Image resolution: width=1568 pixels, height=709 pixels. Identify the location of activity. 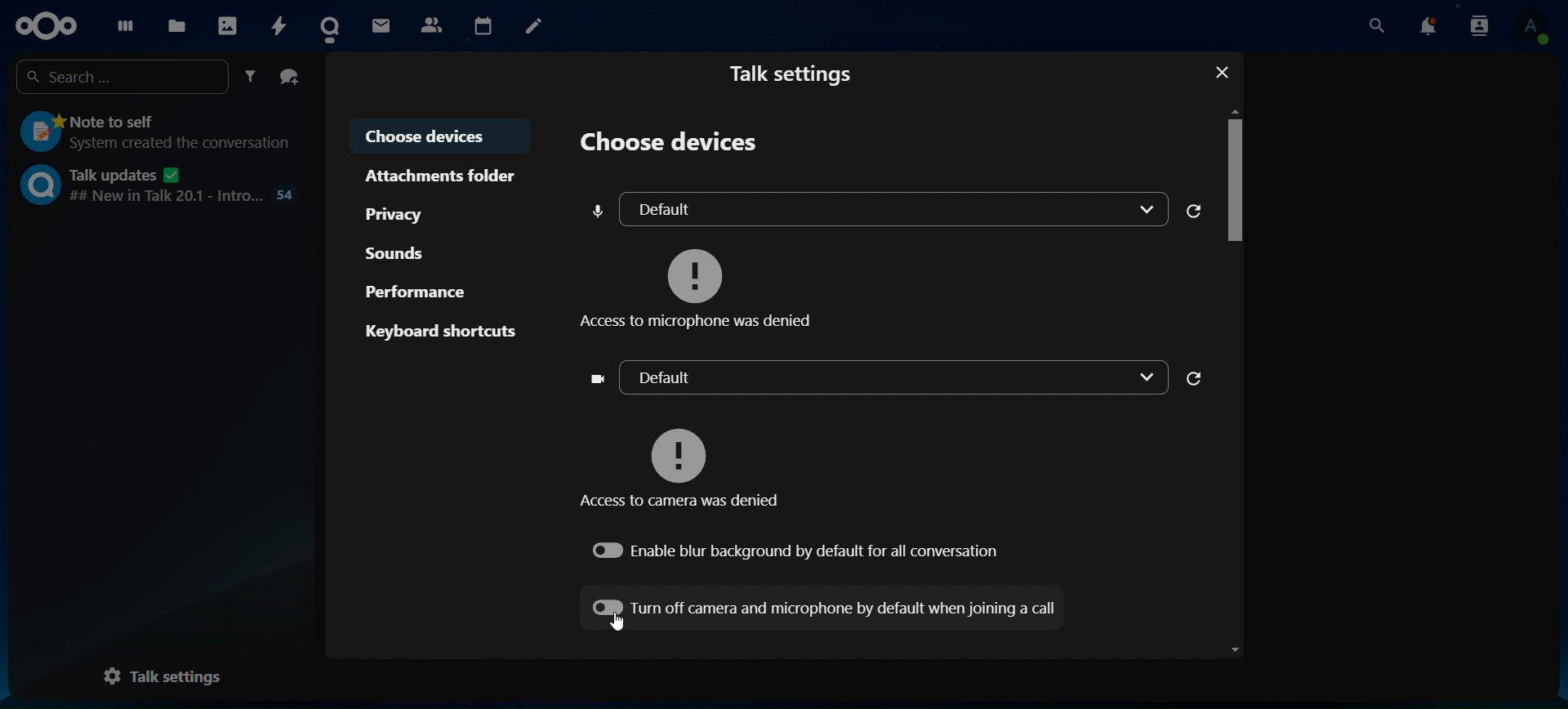
(276, 22).